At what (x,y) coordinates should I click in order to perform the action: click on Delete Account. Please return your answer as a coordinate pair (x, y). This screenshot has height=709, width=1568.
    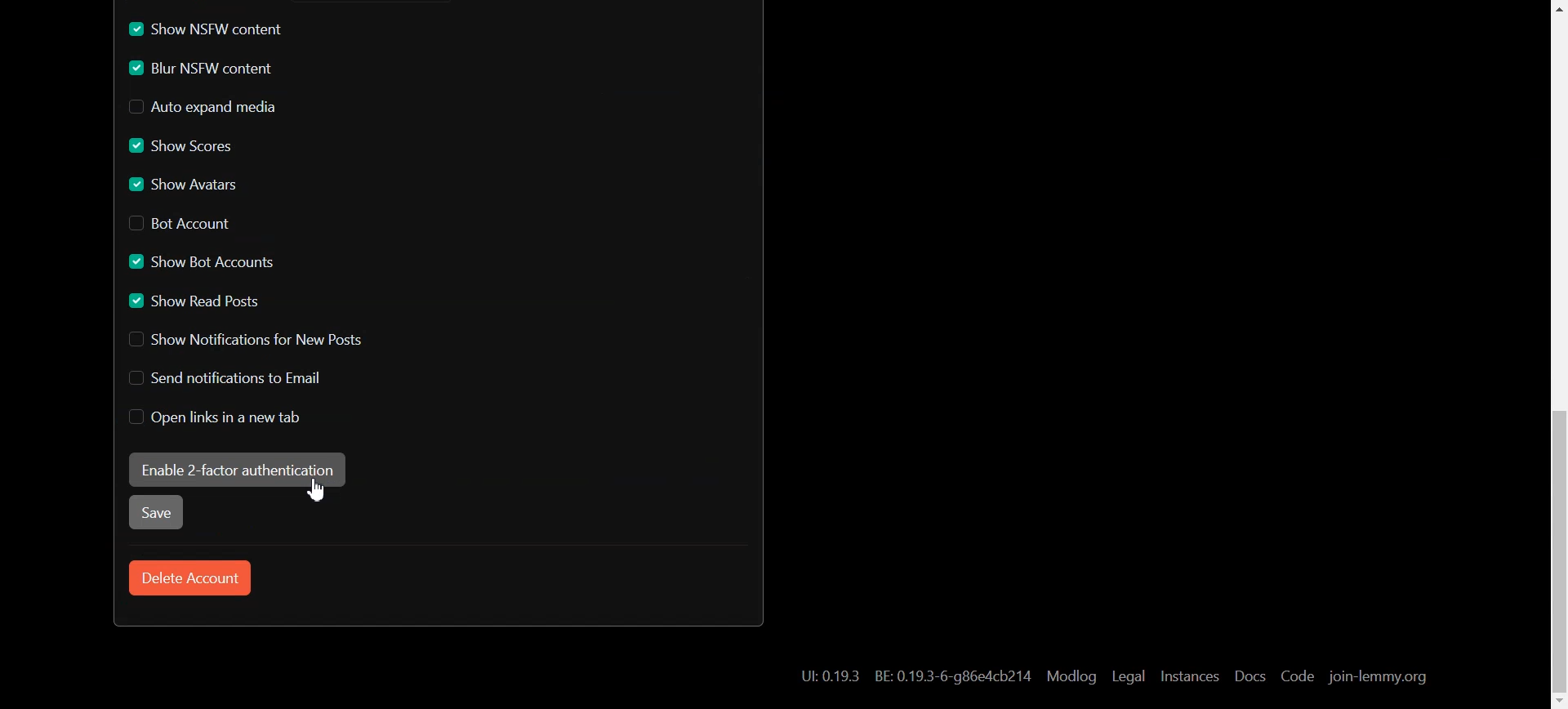
    Looking at the image, I should click on (190, 577).